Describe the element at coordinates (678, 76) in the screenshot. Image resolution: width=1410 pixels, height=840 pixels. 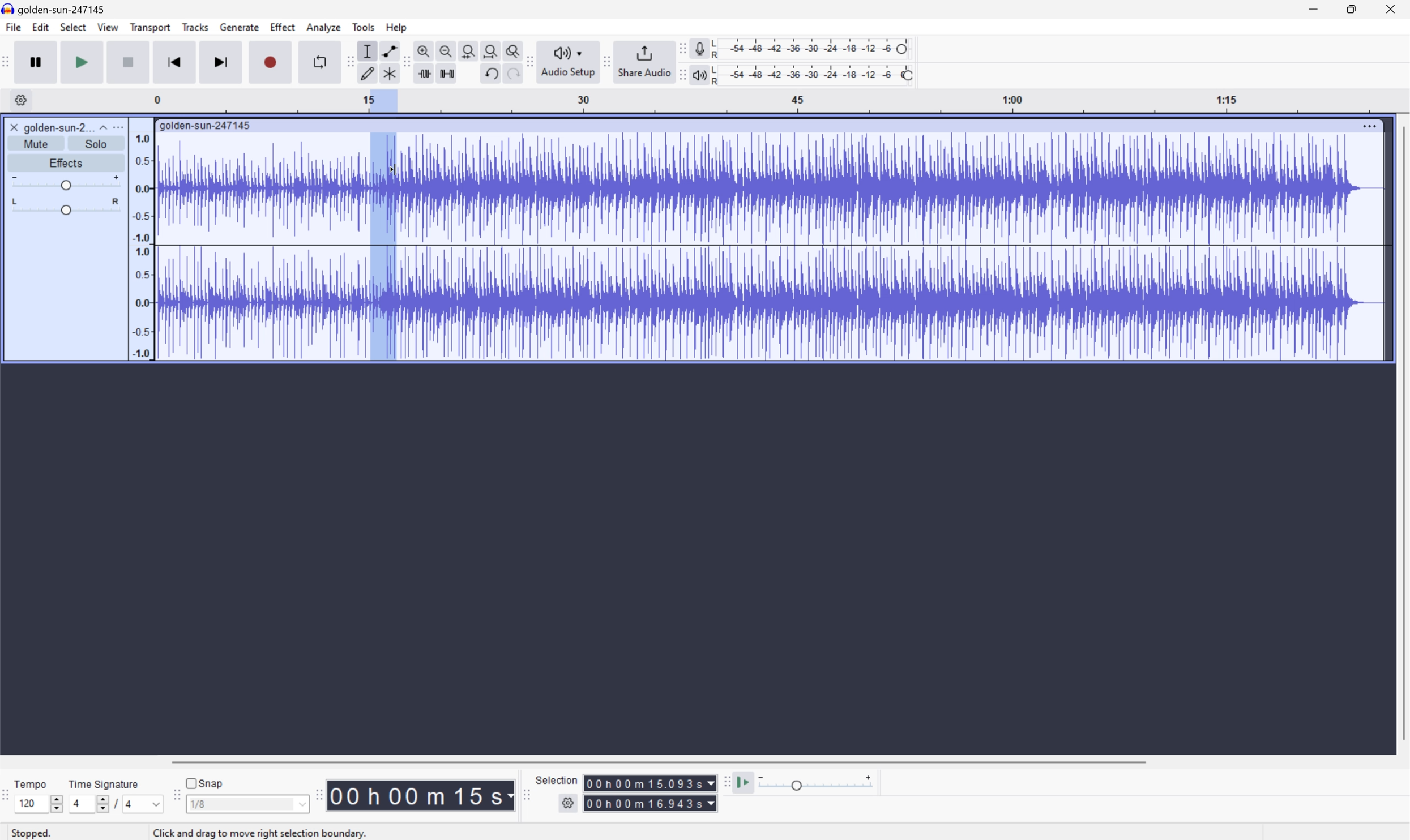
I see `Audacity playback meter toolbar` at that location.